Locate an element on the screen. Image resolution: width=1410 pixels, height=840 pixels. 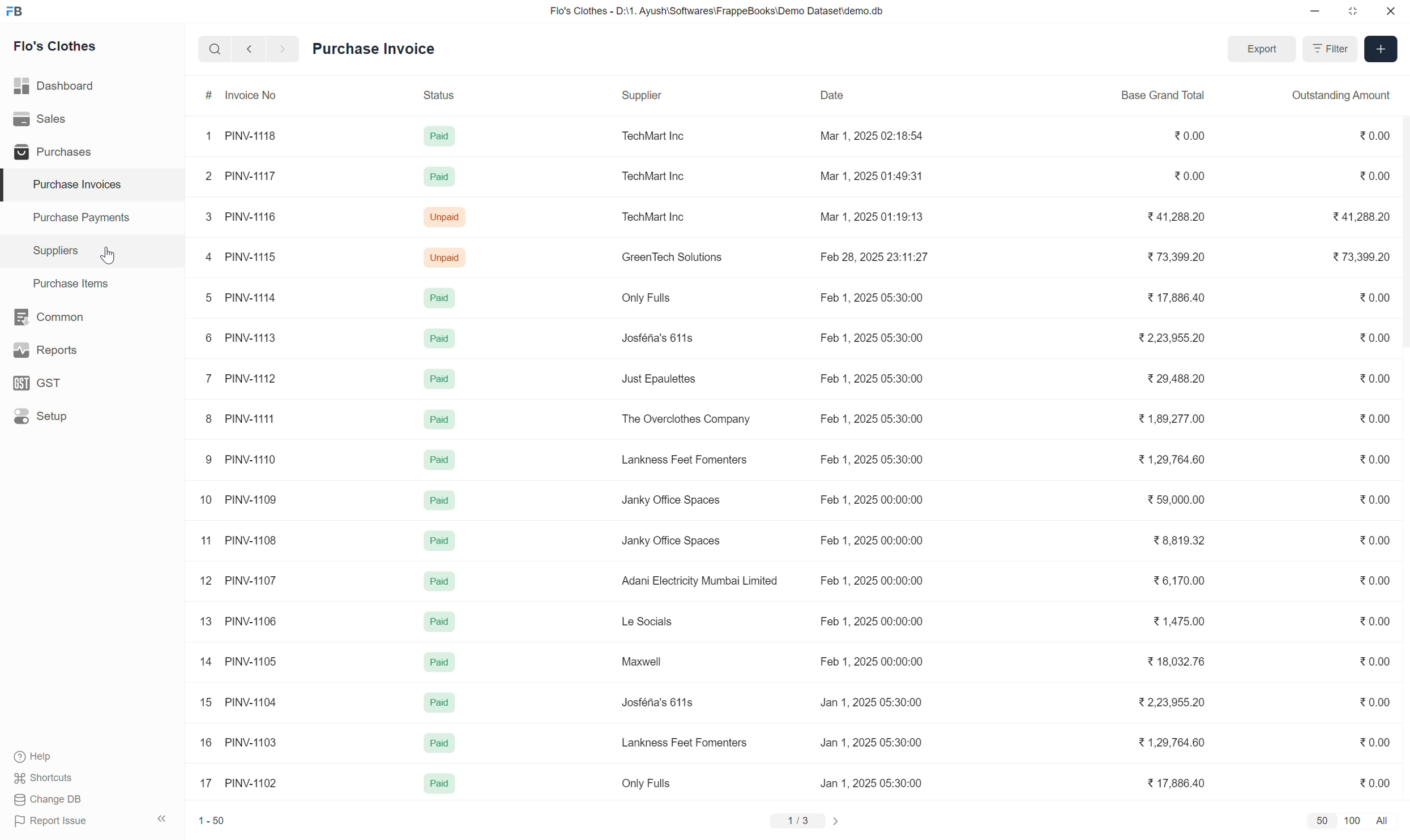
%1,29,764.60 is located at coordinates (1173, 458).